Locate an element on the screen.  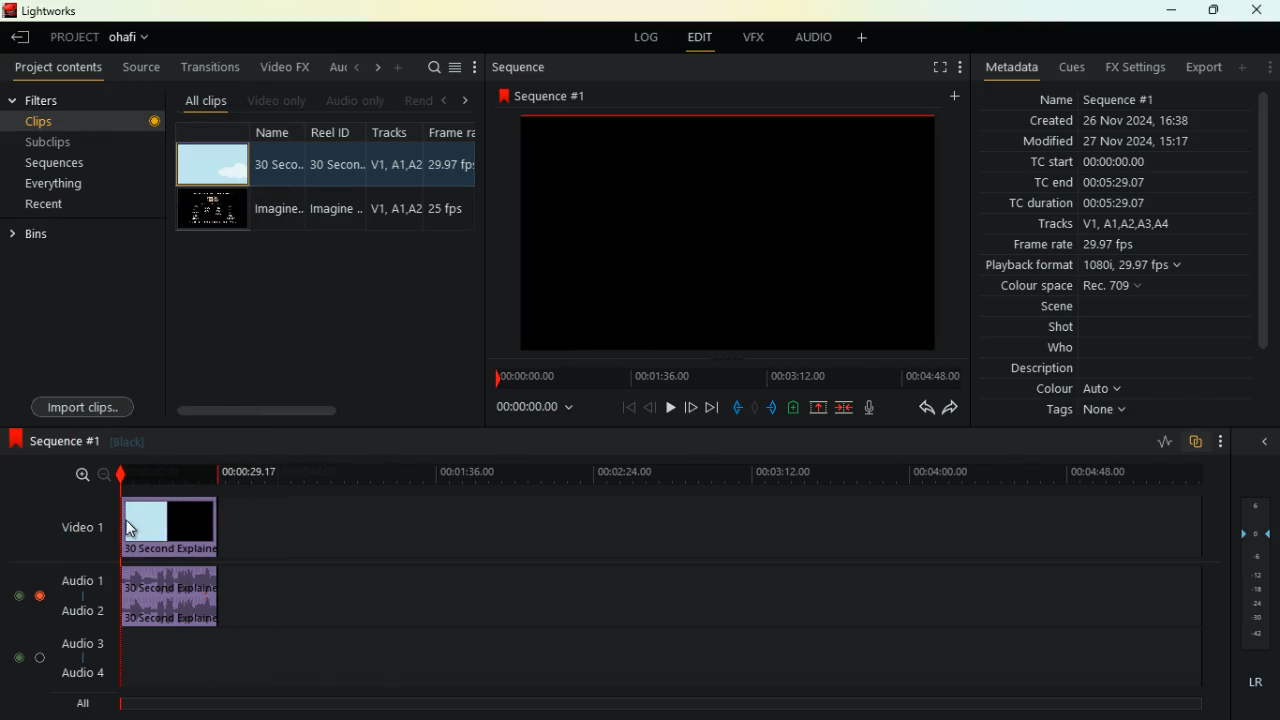
close is located at coordinates (1265, 440).